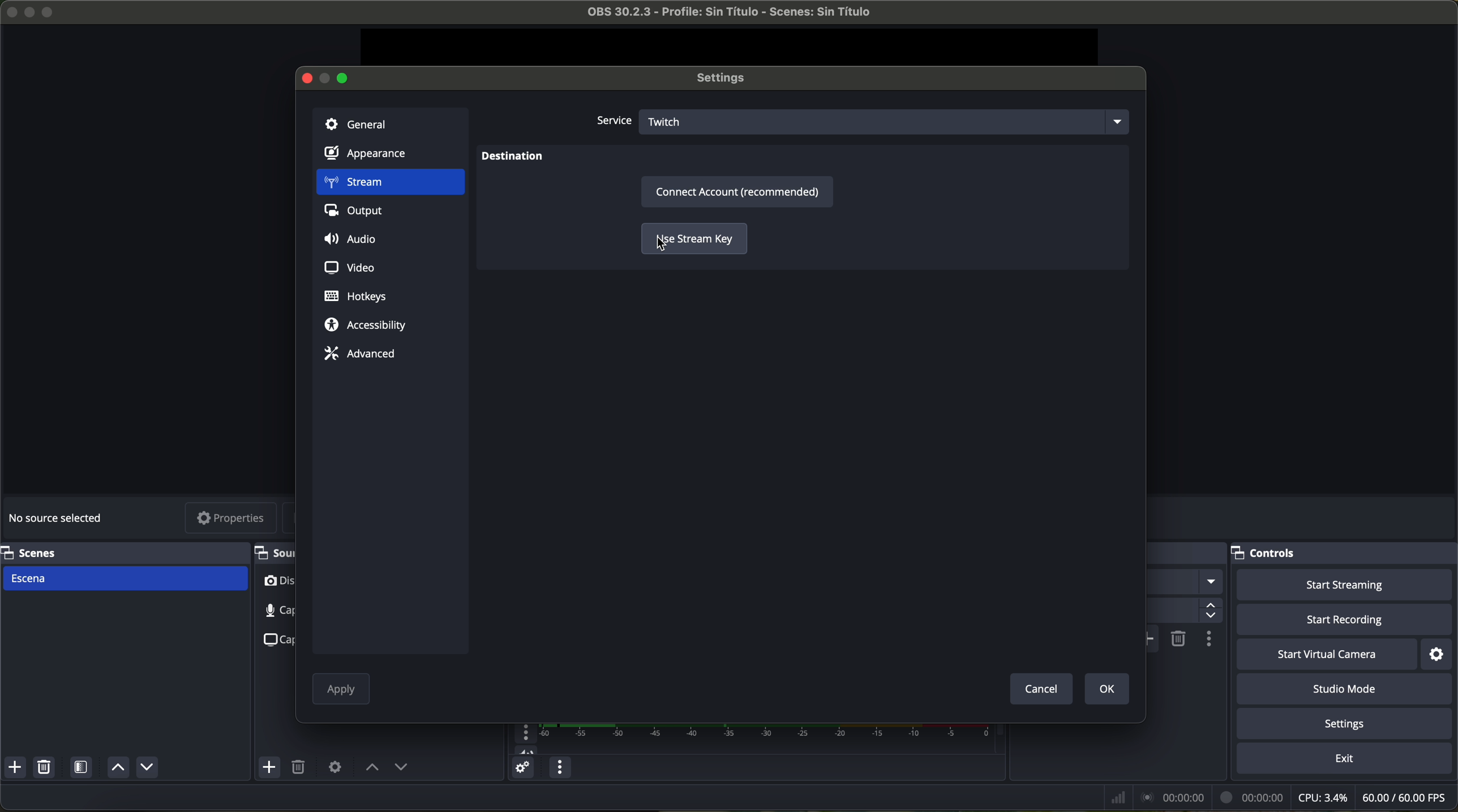 This screenshot has height=812, width=1458. Describe the element at coordinates (359, 353) in the screenshot. I see `advanced` at that location.